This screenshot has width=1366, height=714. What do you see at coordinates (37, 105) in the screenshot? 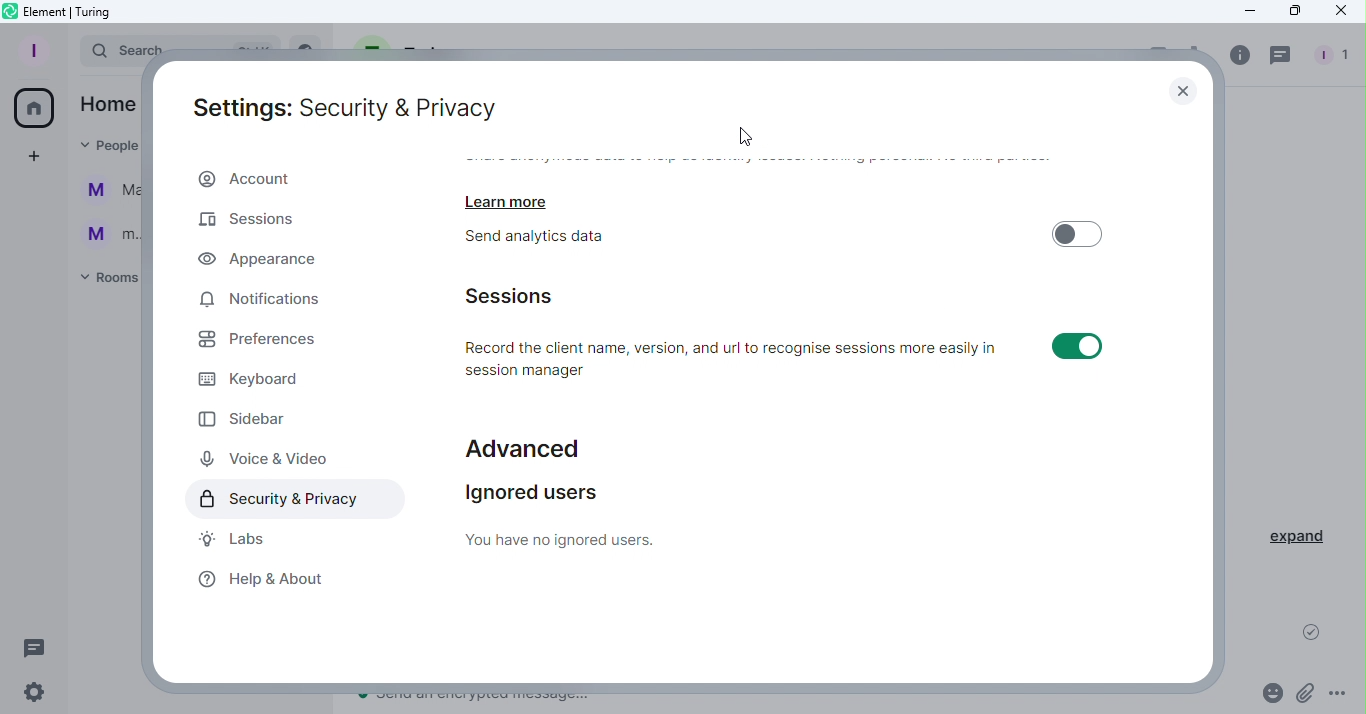
I see `Home` at bounding box center [37, 105].